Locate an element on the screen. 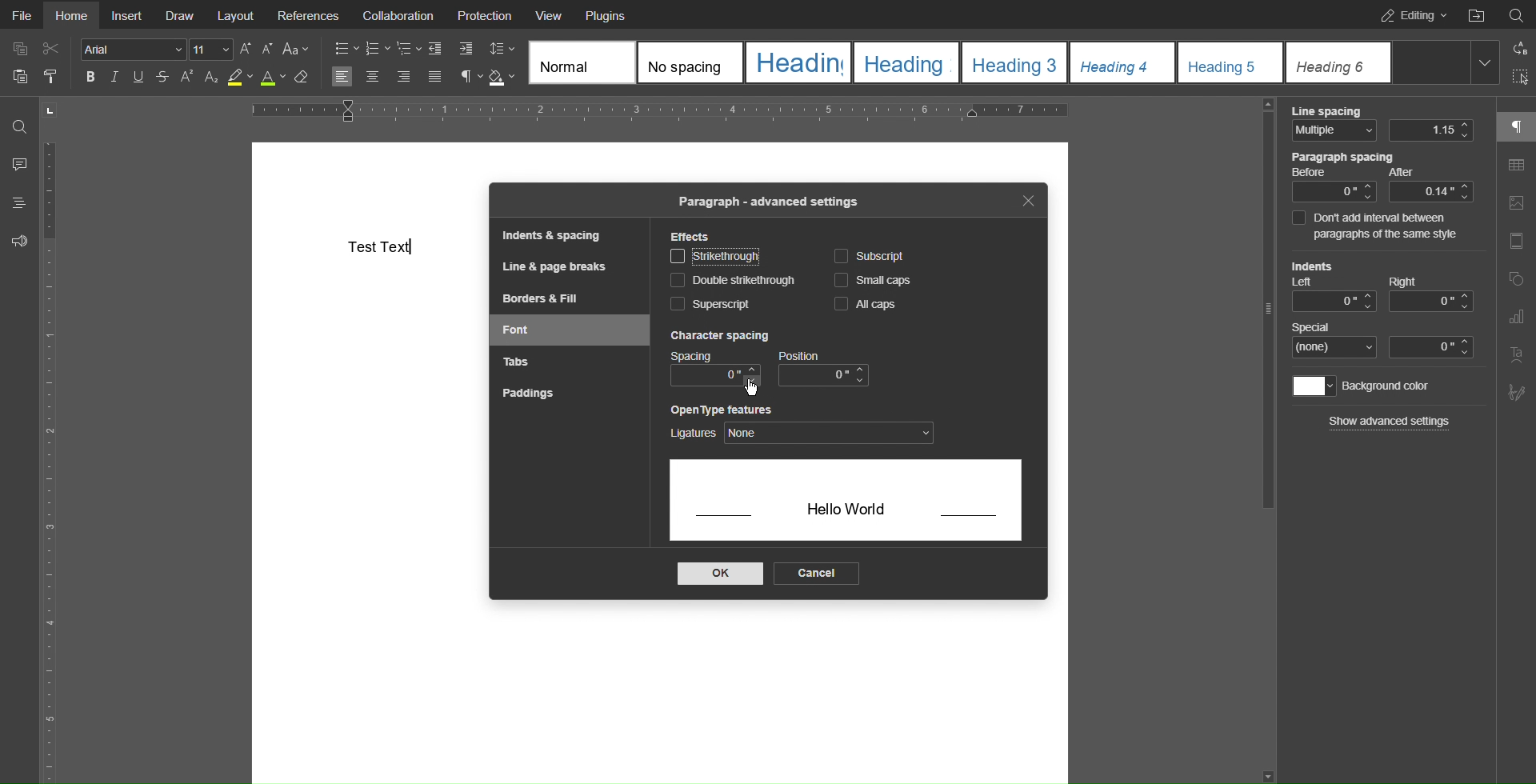  Show advanced settings is located at coordinates (1390, 421).